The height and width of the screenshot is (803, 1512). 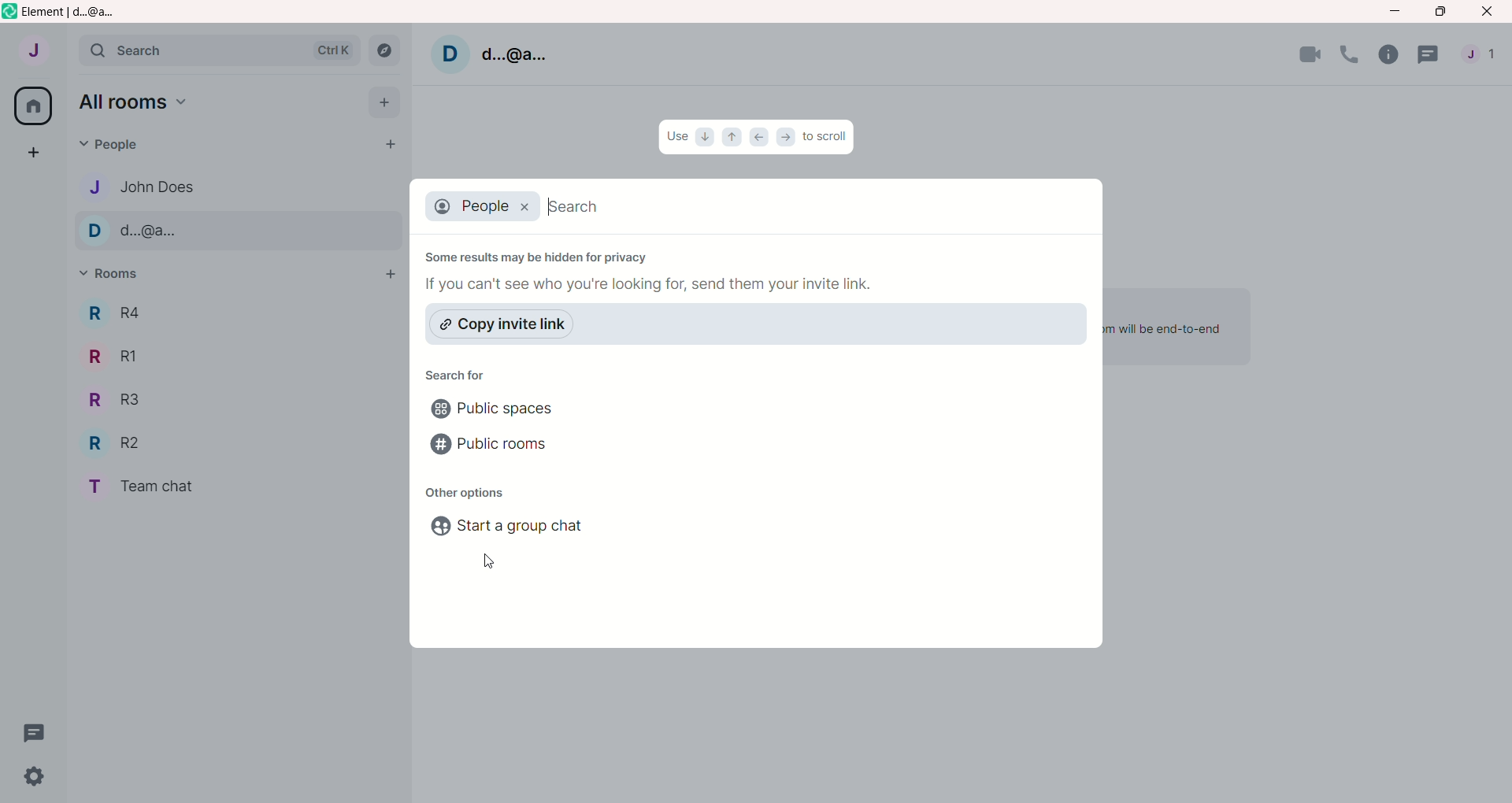 What do you see at coordinates (138, 184) in the screenshot?
I see `john does` at bounding box center [138, 184].